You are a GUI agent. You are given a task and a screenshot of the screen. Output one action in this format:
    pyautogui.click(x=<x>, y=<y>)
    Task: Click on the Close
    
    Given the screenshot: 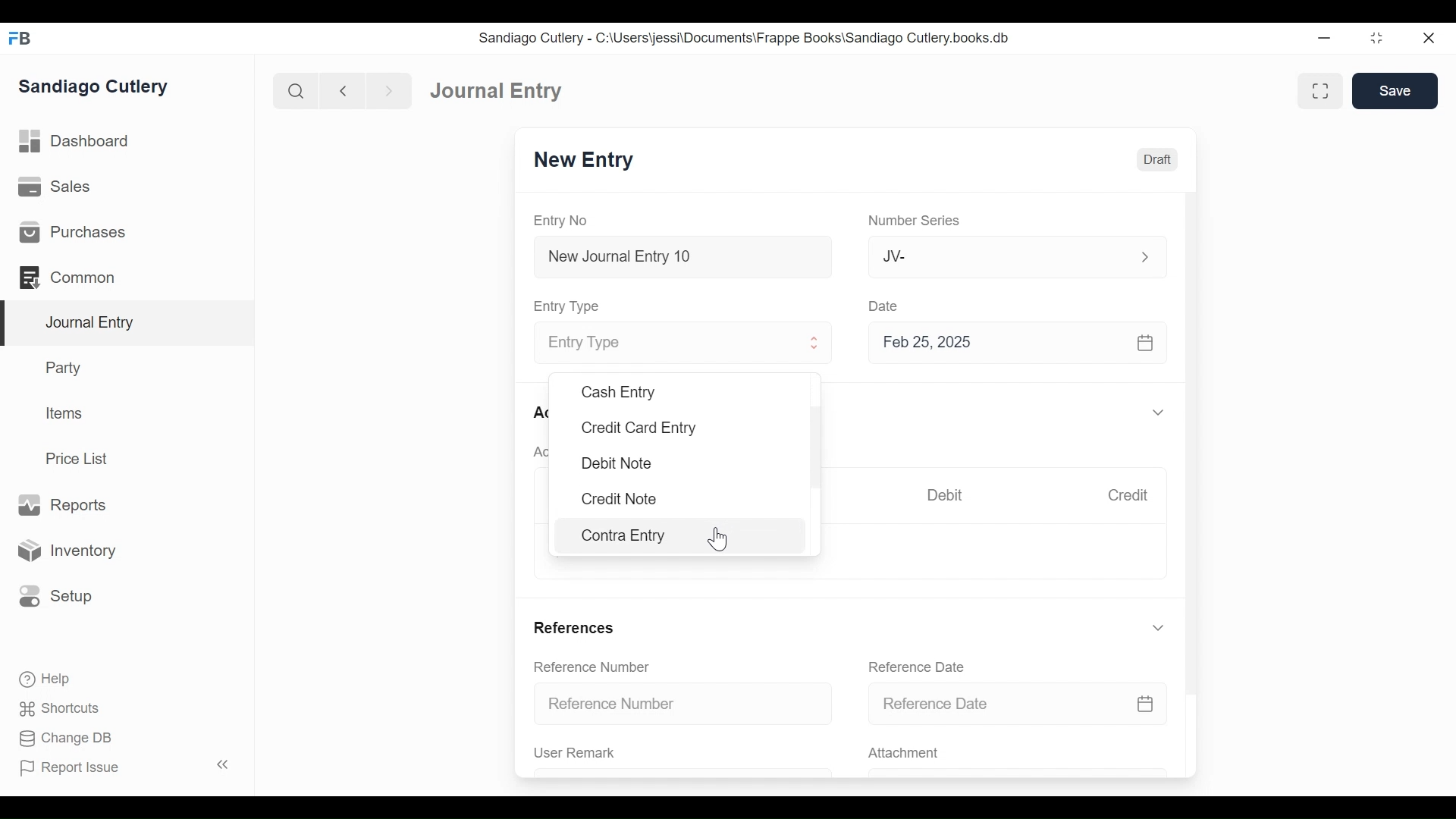 What is the action you would take?
    pyautogui.click(x=1427, y=39)
    